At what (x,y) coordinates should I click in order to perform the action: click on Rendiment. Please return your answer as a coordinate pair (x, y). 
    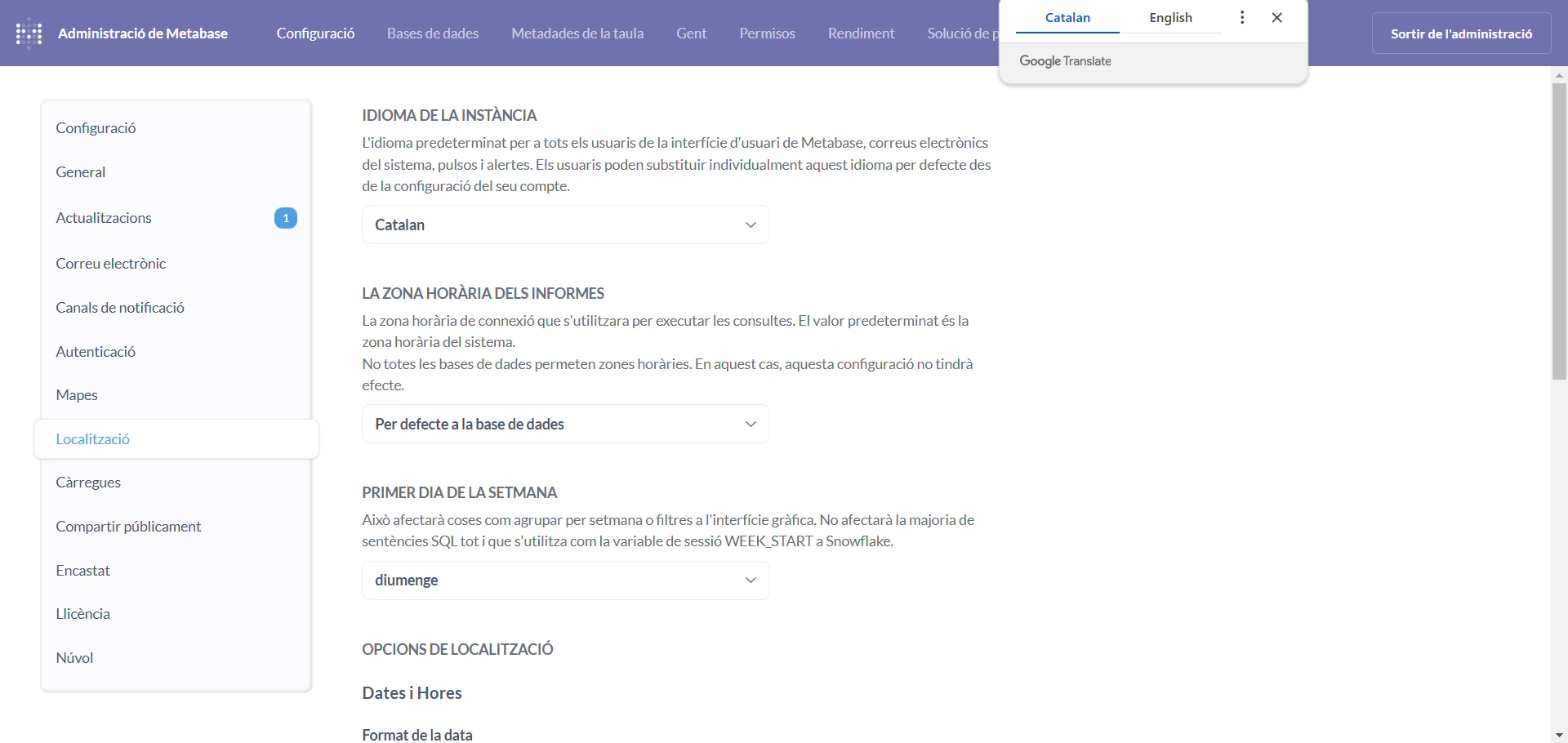
    Looking at the image, I should click on (868, 33).